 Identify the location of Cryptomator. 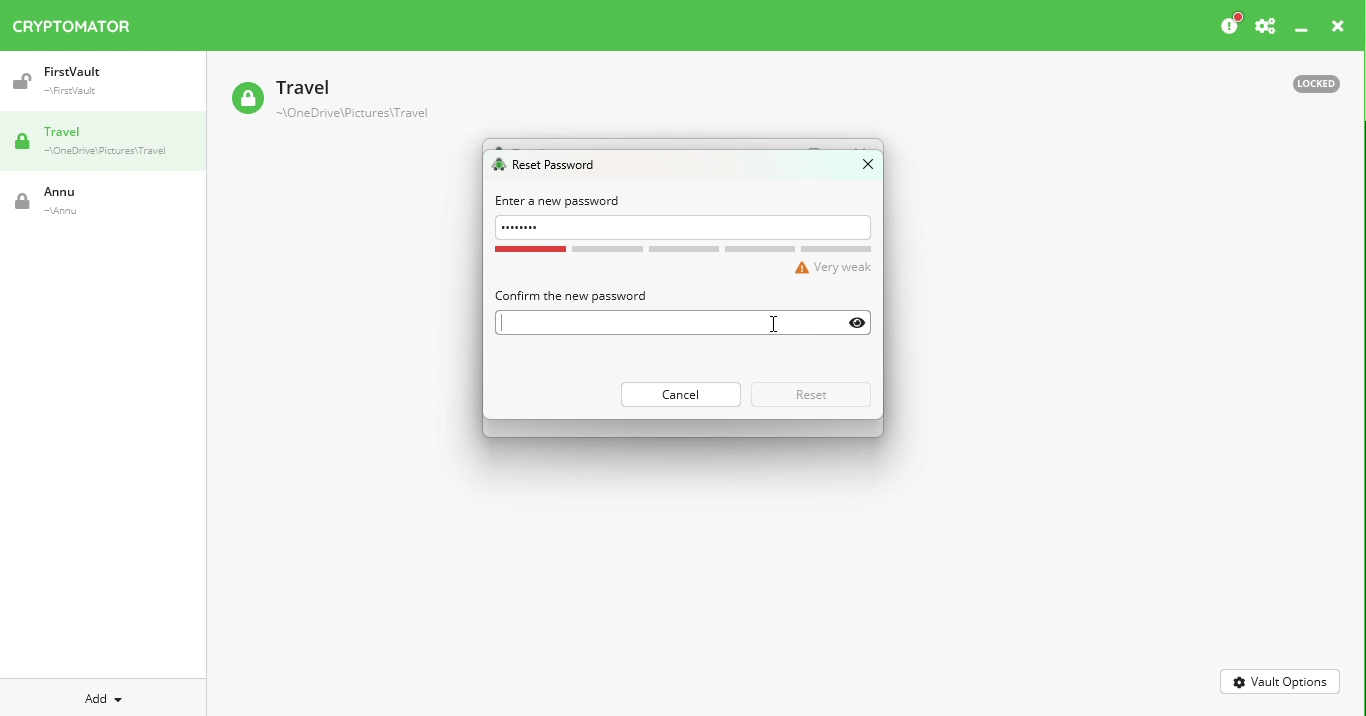
(72, 22).